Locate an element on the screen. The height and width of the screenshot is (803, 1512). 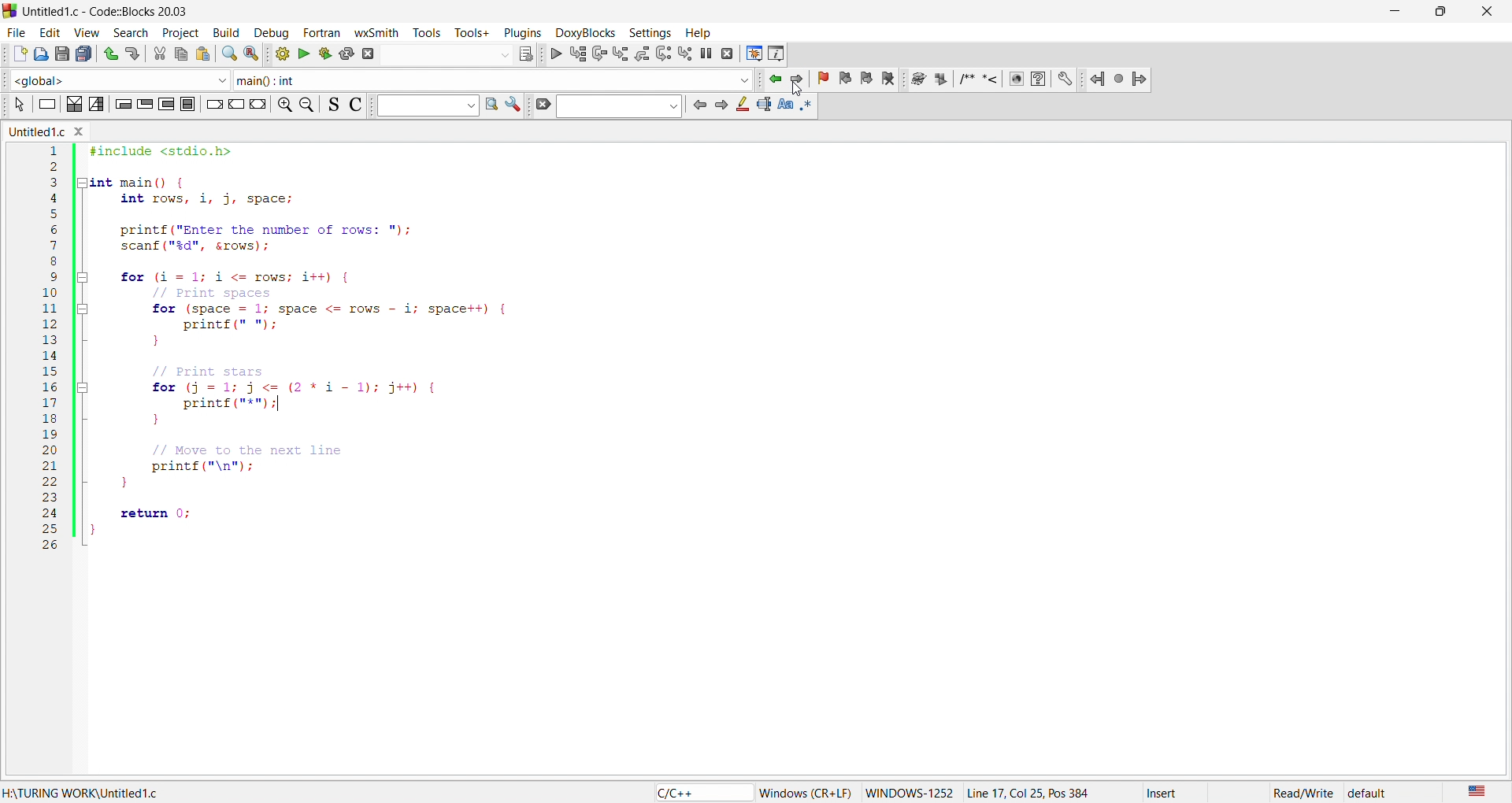
line number is located at coordinates (54, 350).